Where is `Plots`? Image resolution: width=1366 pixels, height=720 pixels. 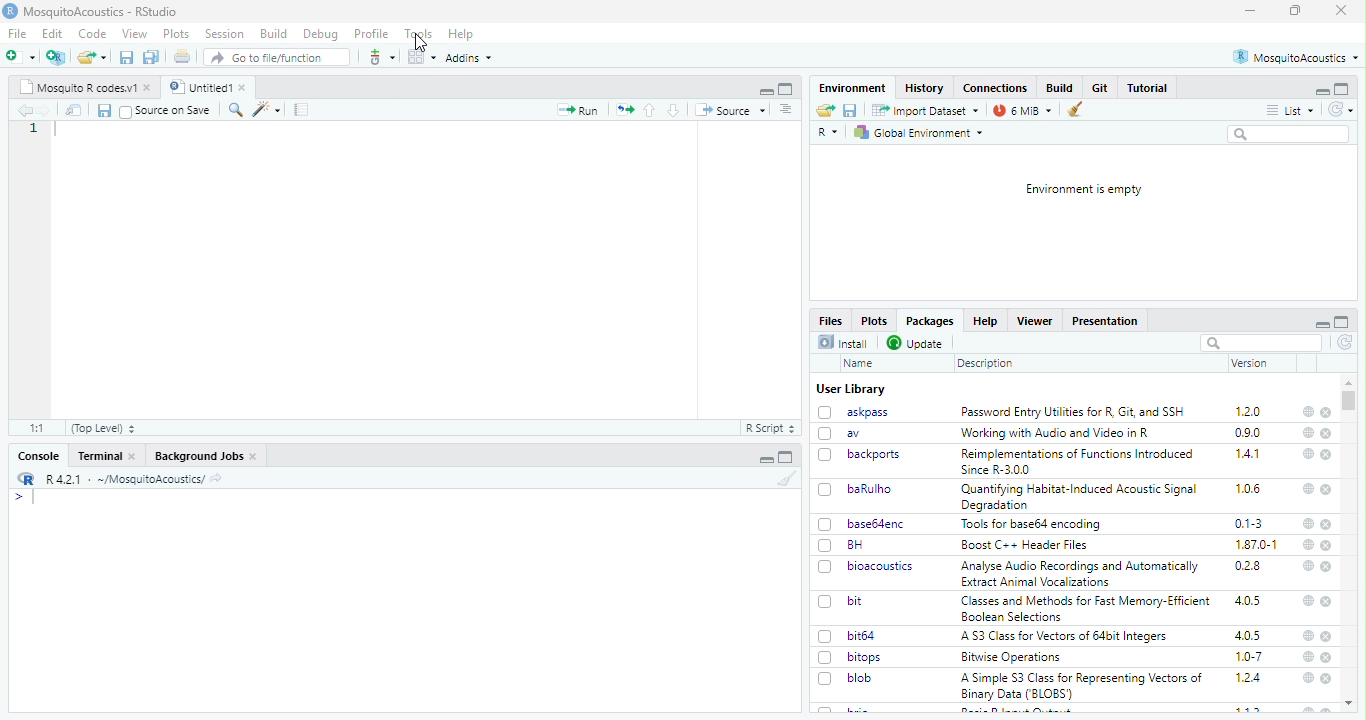 Plots is located at coordinates (178, 34).